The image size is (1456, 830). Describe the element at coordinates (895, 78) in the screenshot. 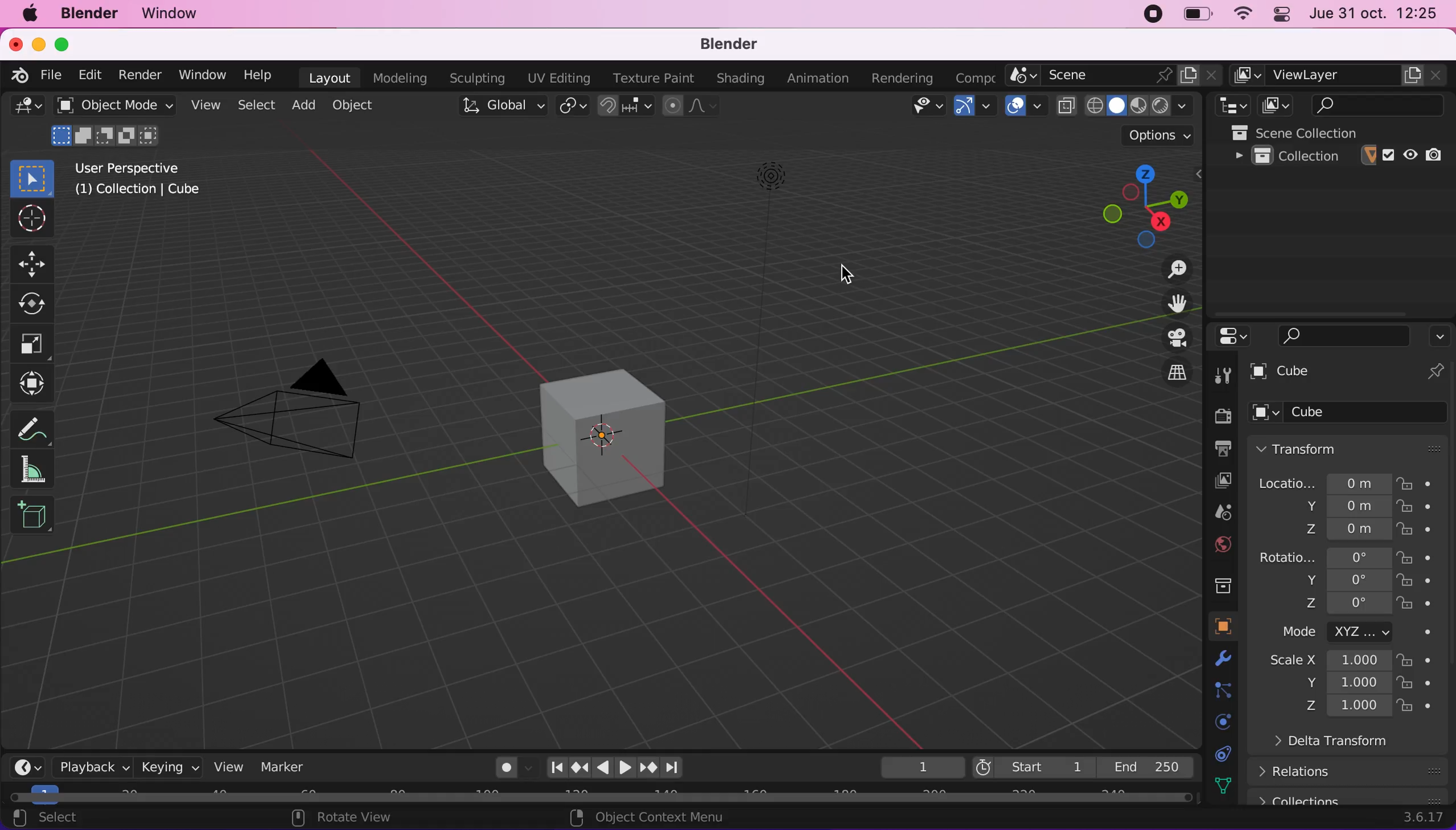

I see `rendering` at that location.